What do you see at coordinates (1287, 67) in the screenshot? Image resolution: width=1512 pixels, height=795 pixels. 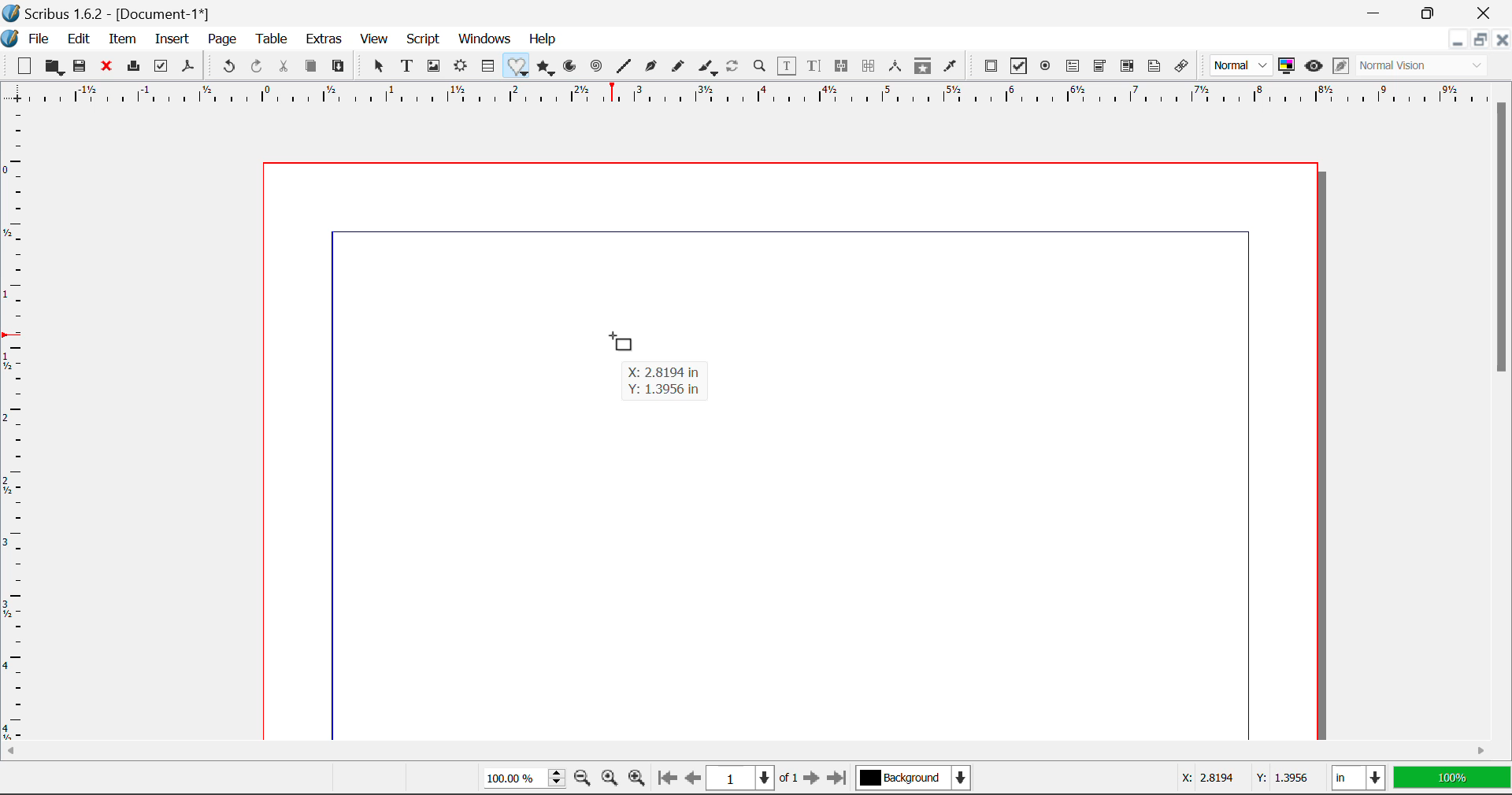 I see `Toggle color management system` at bounding box center [1287, 67].